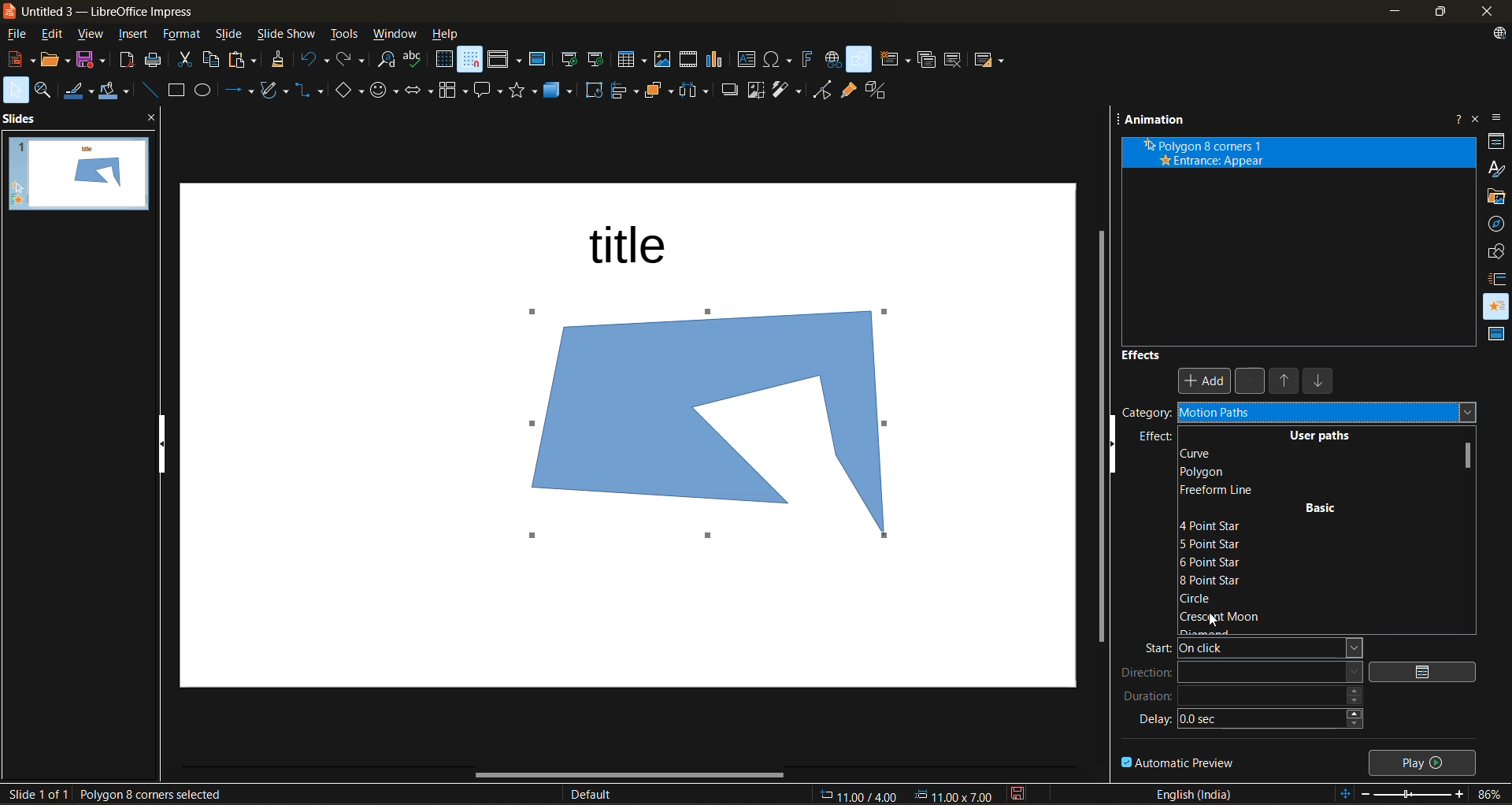 Image resolution: width=1512 pixels, height=805 pixels. I want to click on distribute, so click(697, 91).